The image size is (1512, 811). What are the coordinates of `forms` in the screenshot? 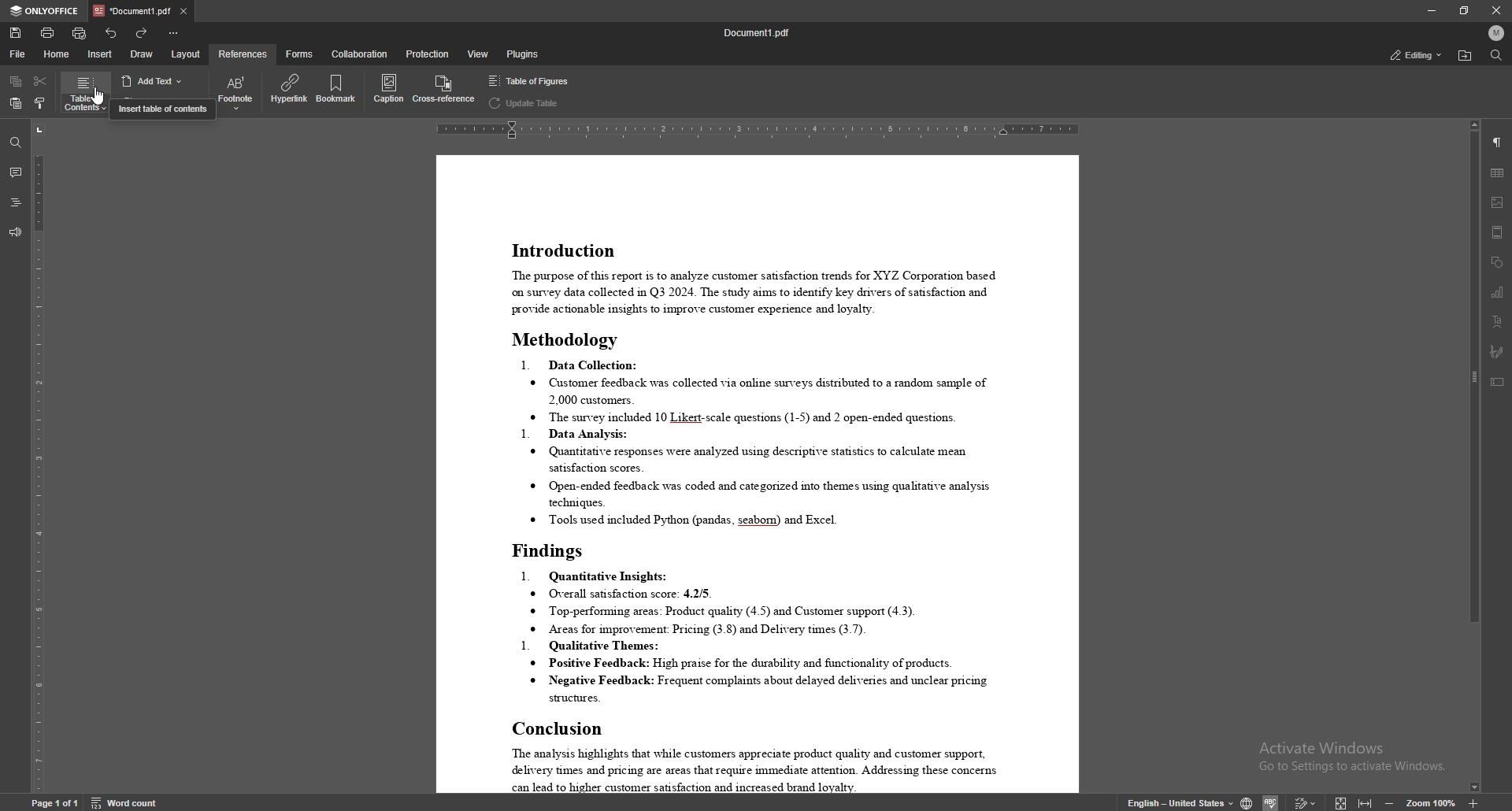 It's located at (299, 54).